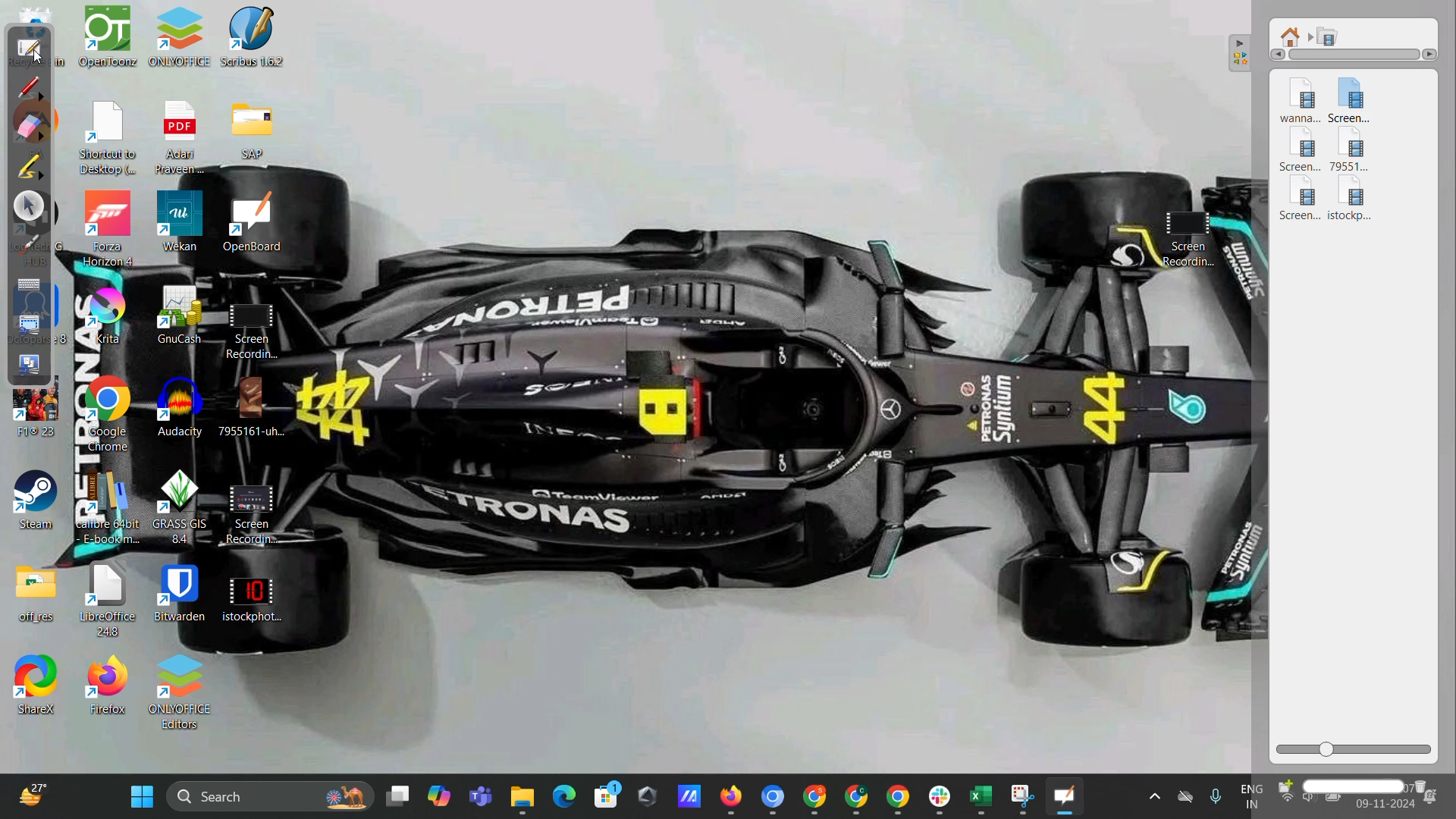  Describe the element at coordinates (27, 322) in the screenshot. I see `capture part of screen` at that location.